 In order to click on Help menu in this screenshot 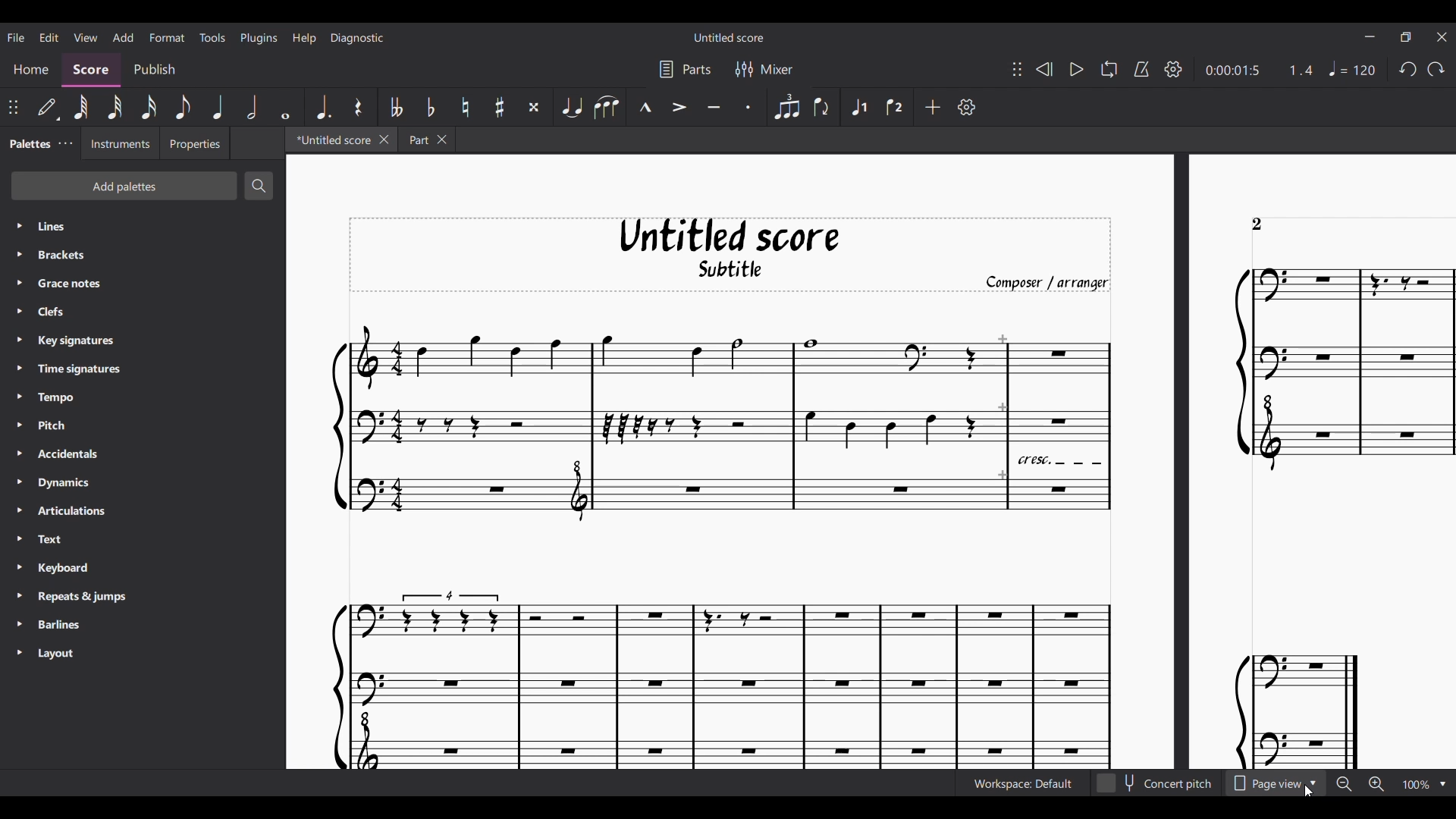, I will do `click(304, 38)`.